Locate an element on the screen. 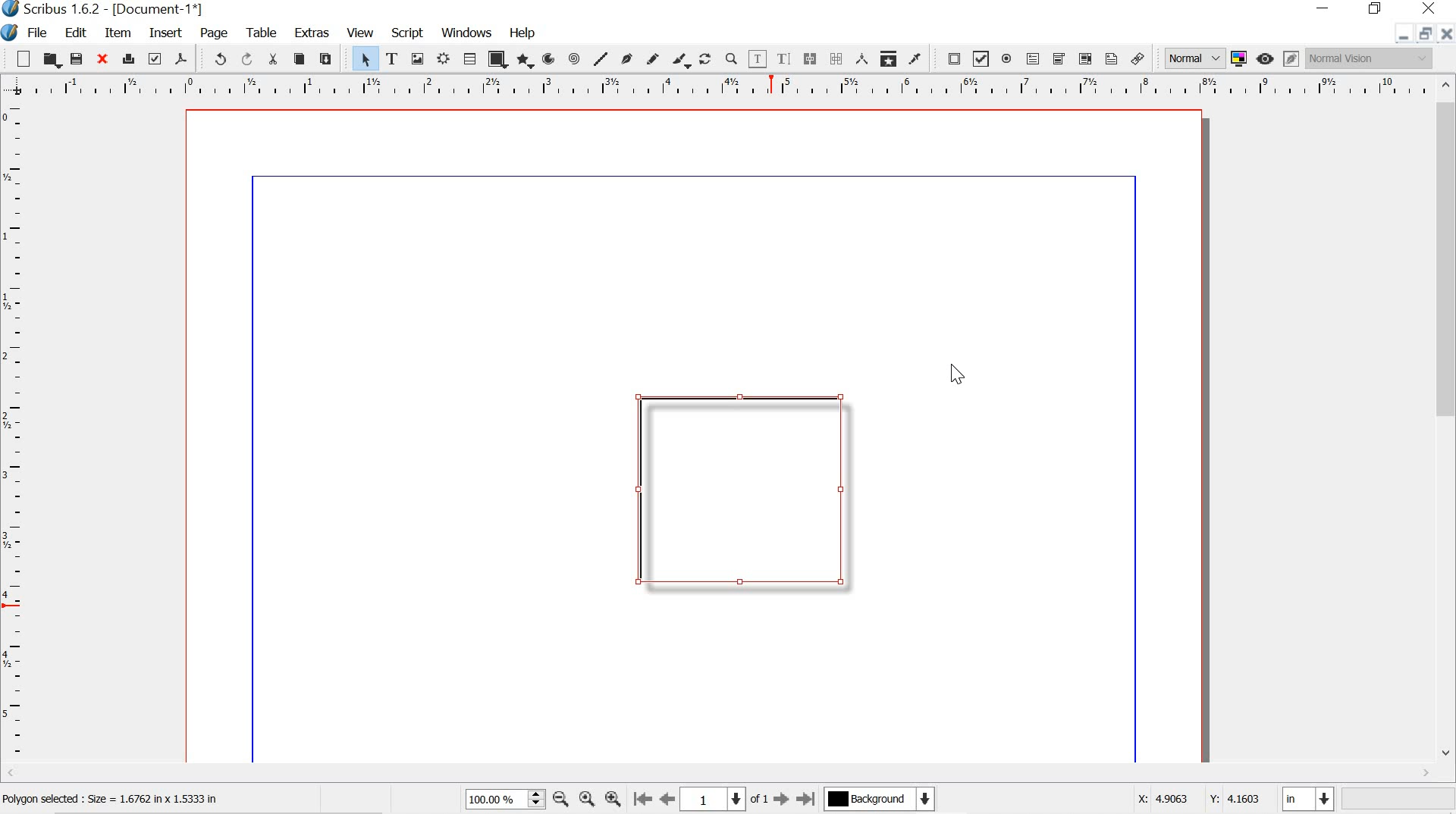  link text frame is located at coordinates (809, 58).